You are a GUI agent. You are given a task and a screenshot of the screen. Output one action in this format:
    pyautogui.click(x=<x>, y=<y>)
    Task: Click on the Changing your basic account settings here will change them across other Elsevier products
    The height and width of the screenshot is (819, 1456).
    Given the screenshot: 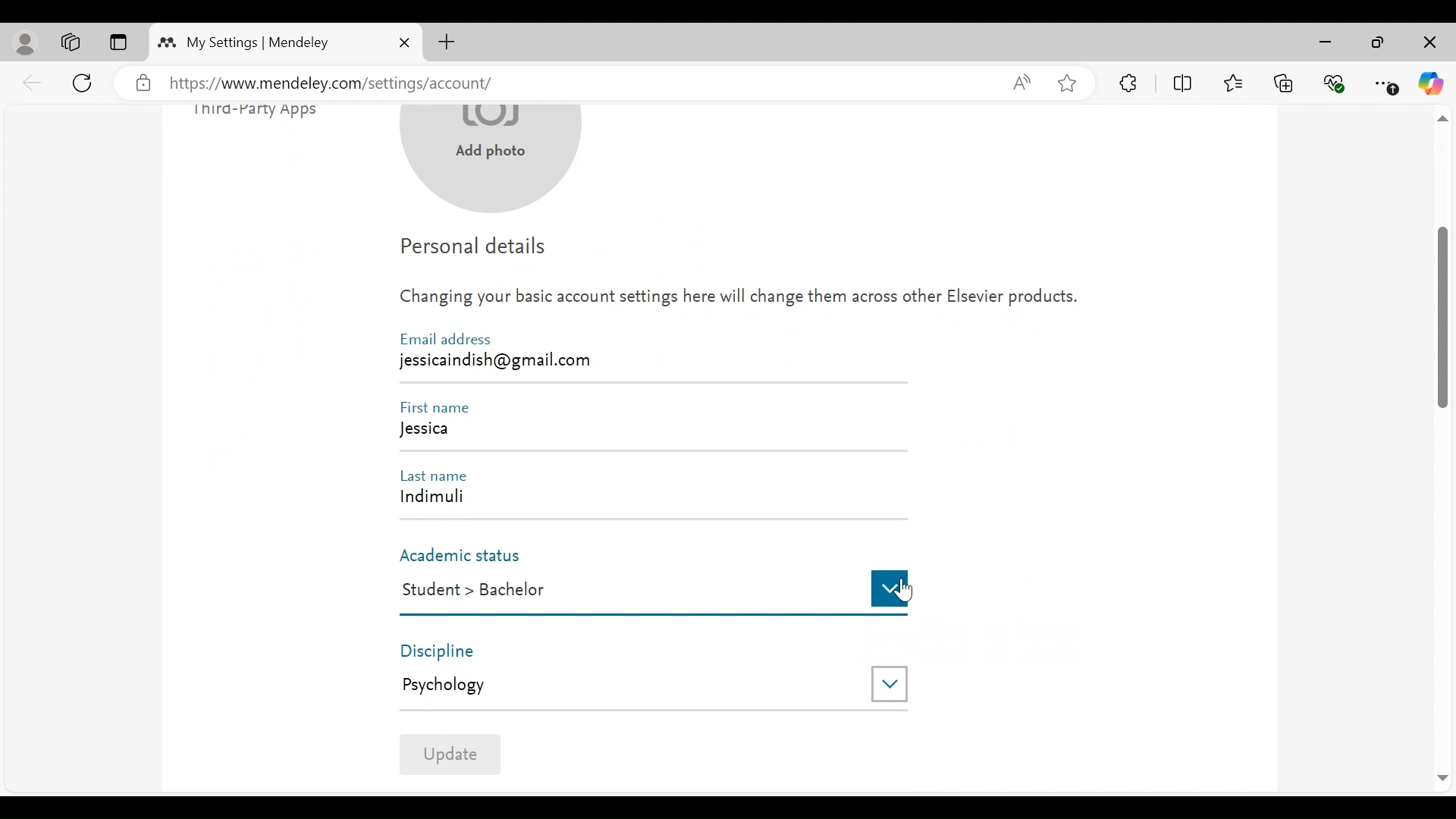 What is the action you would take?
    pyautogui.click(x=739, y=301)
    